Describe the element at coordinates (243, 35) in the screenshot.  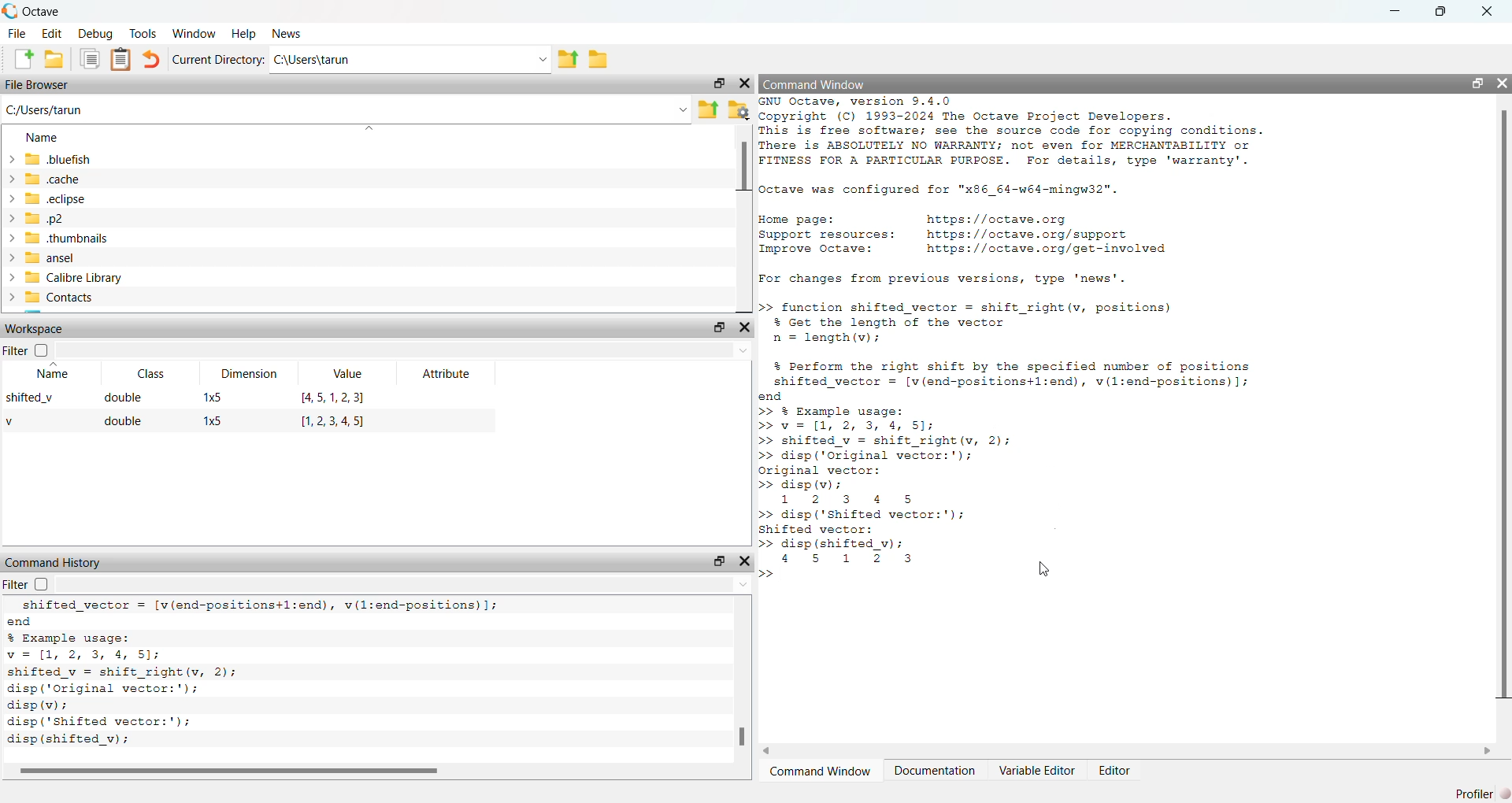
I see `help` at that location.